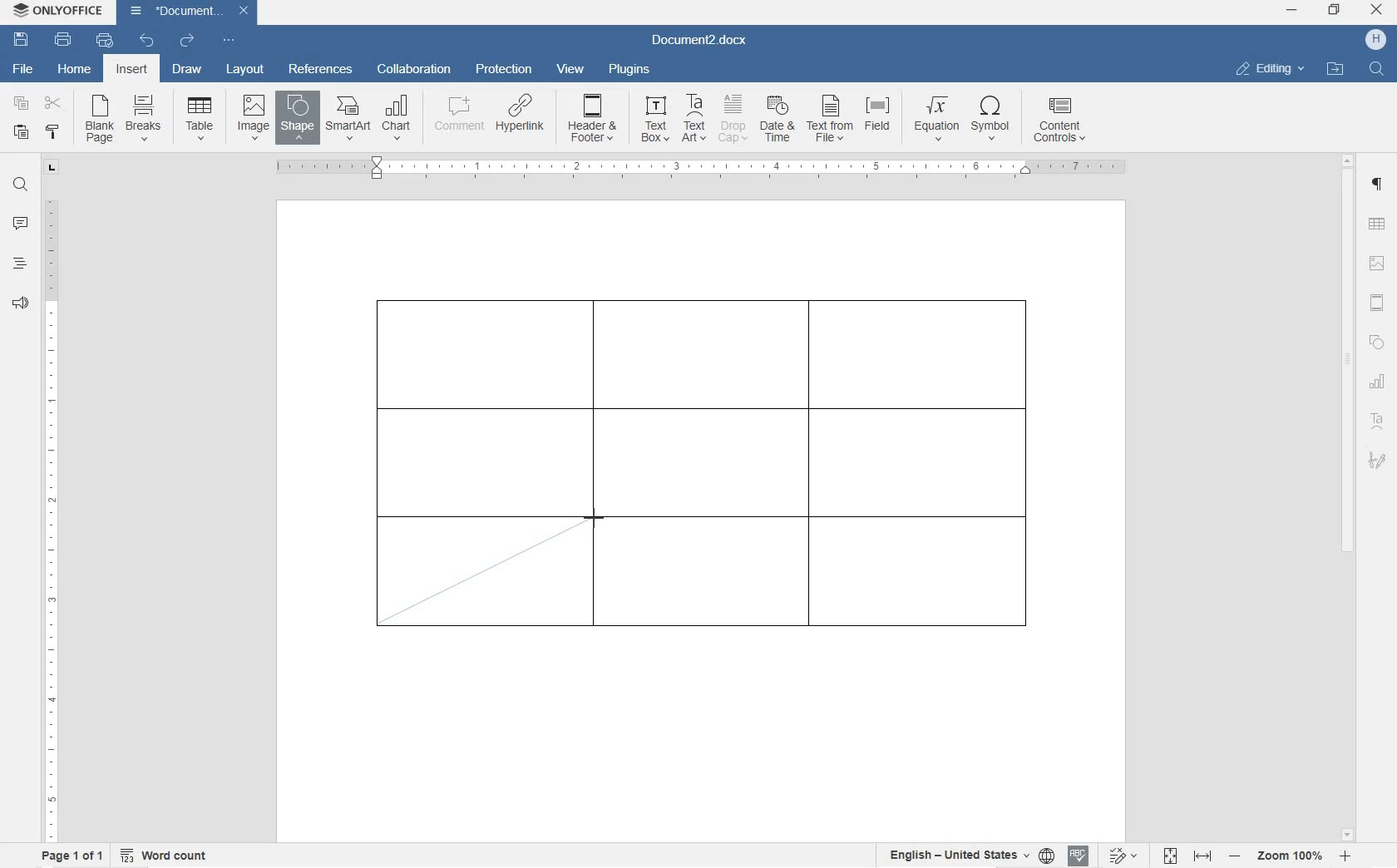 This screenshot has width=1397, height=868. Describe the element at coordinates (414, 70) in the screenshot. I see `collaboration` at that location.